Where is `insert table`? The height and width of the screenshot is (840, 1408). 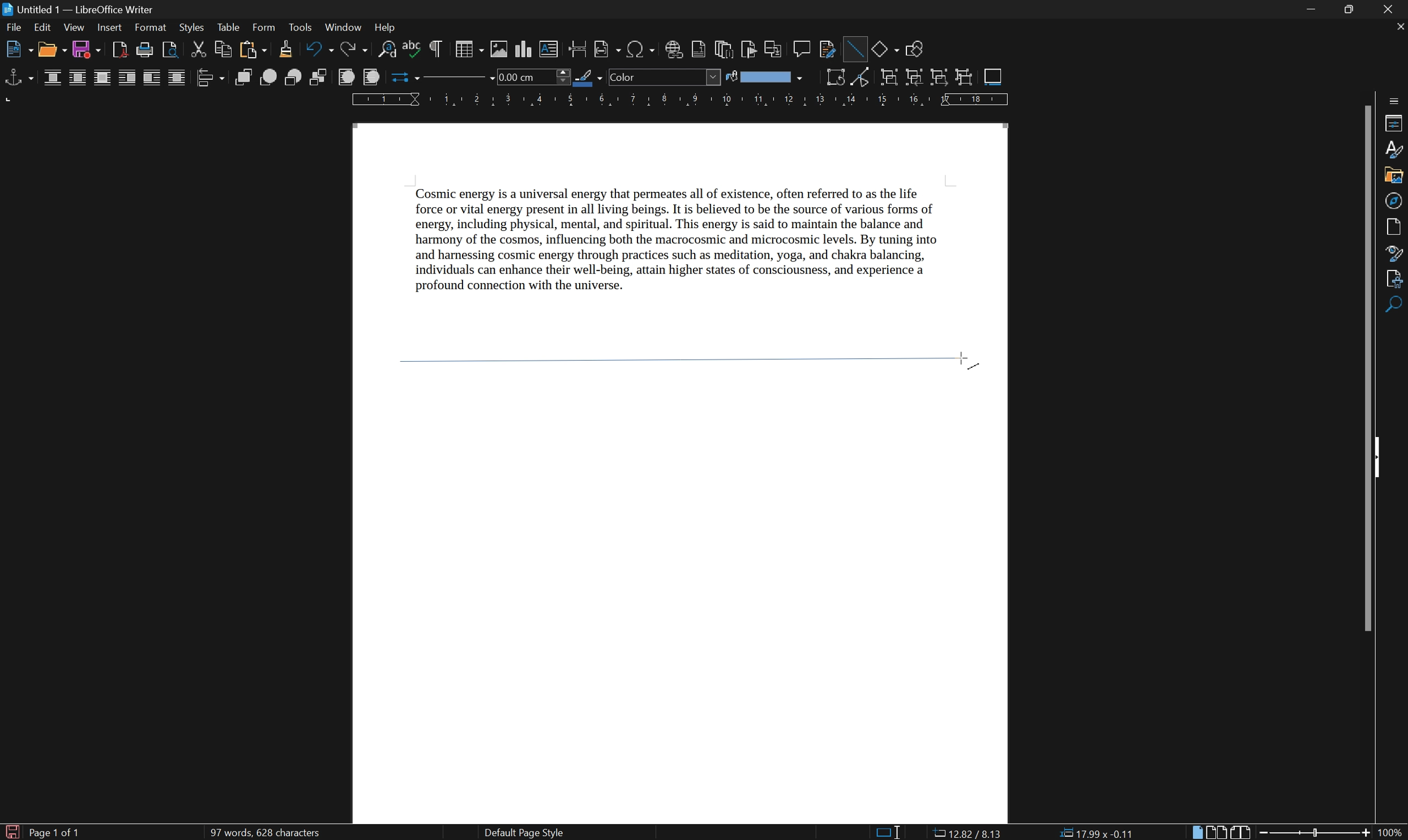 insert table is located at coordinates (468, 49).